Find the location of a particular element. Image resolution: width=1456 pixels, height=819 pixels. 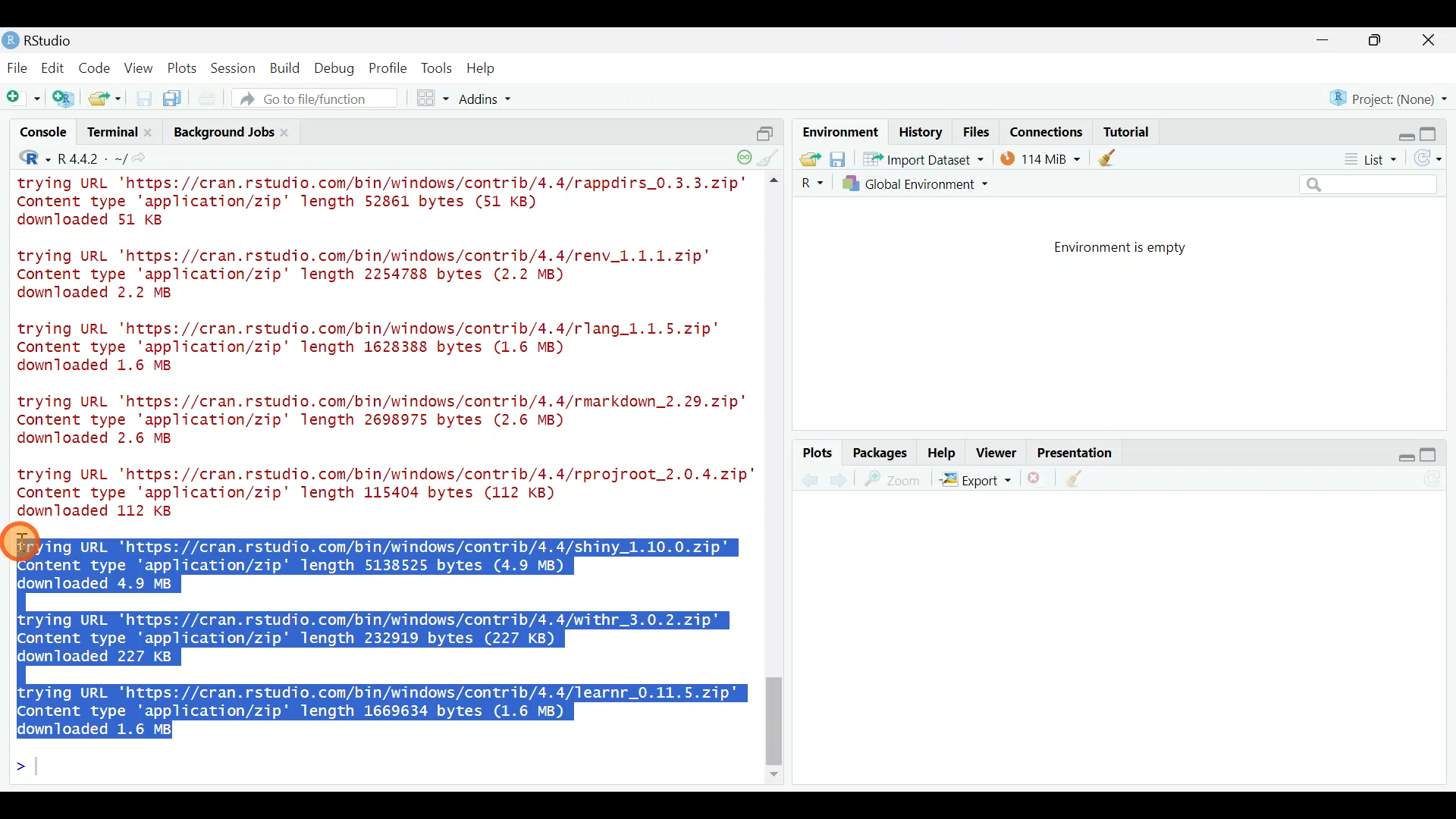

trying URL 'https://cran.rstudio.com/bin/windows/contrib/4.4/rmarkdown_2.29.zip"
Content type 'application/zip' length 2698975 bytes (2.6 MB)
downloaded 2.6 MB is located at coordinates (385, 422).